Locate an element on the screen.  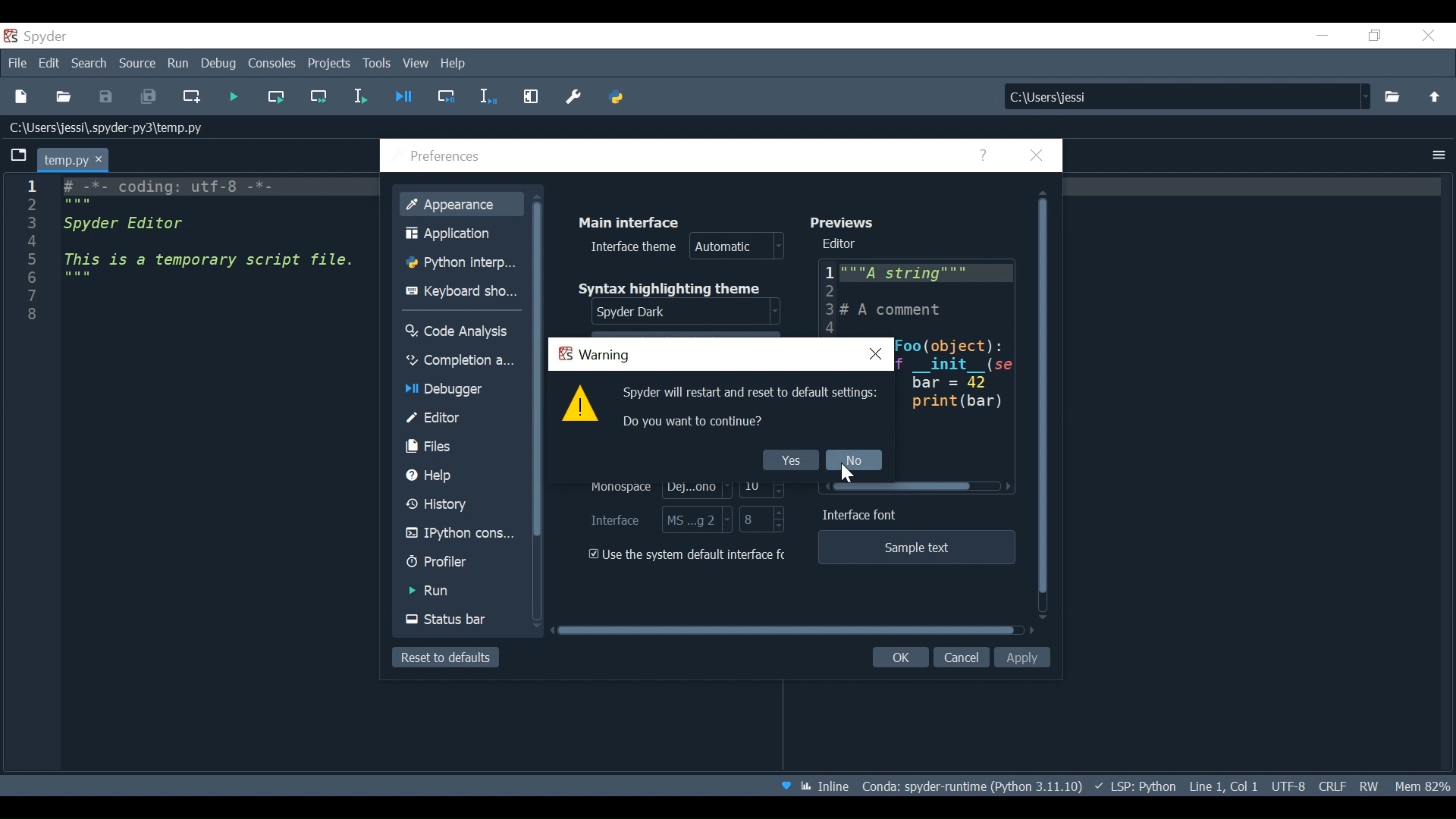
Reset to defaults is located at coordinates (447, 659).